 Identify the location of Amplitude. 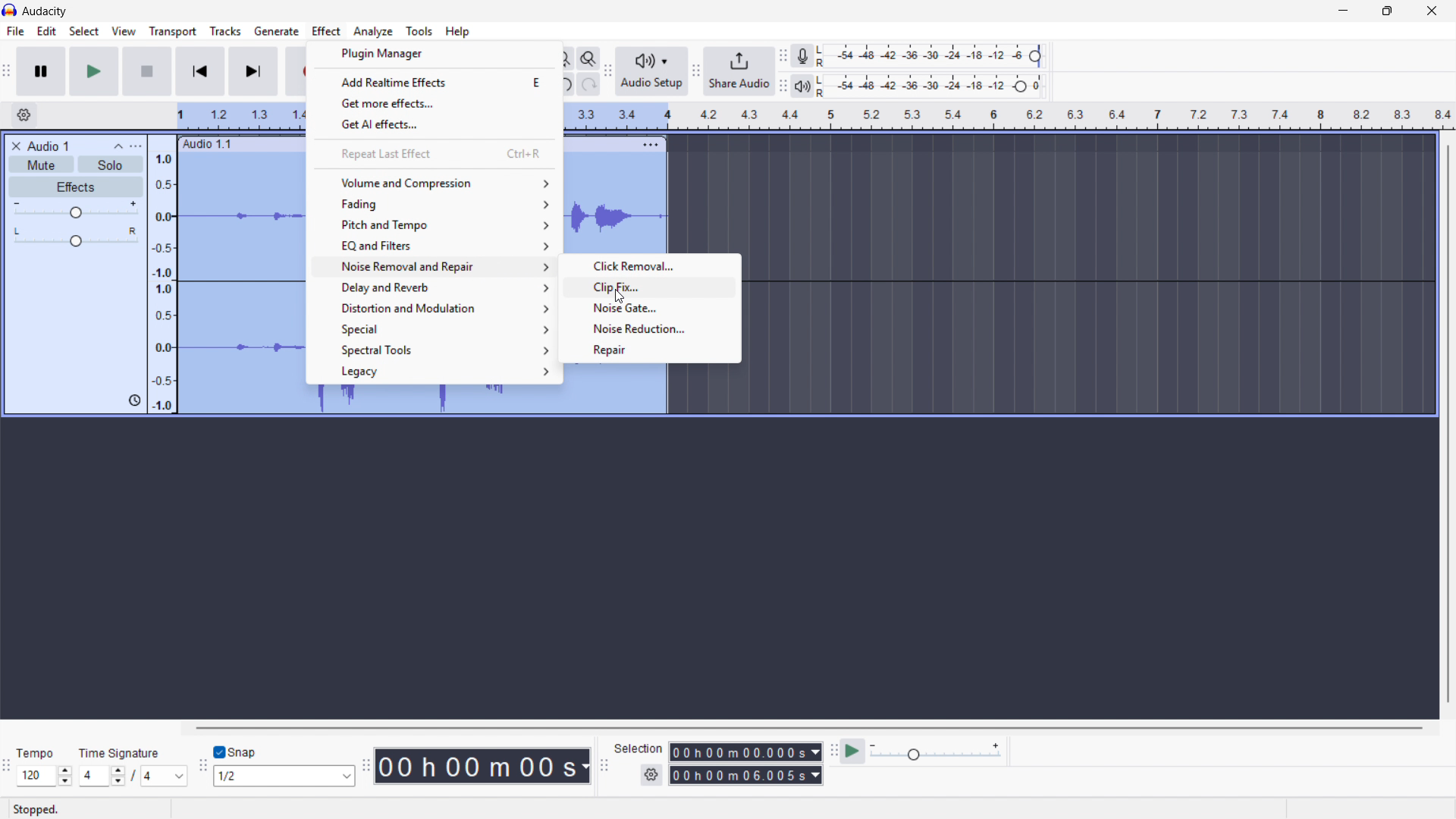
(162, 275).